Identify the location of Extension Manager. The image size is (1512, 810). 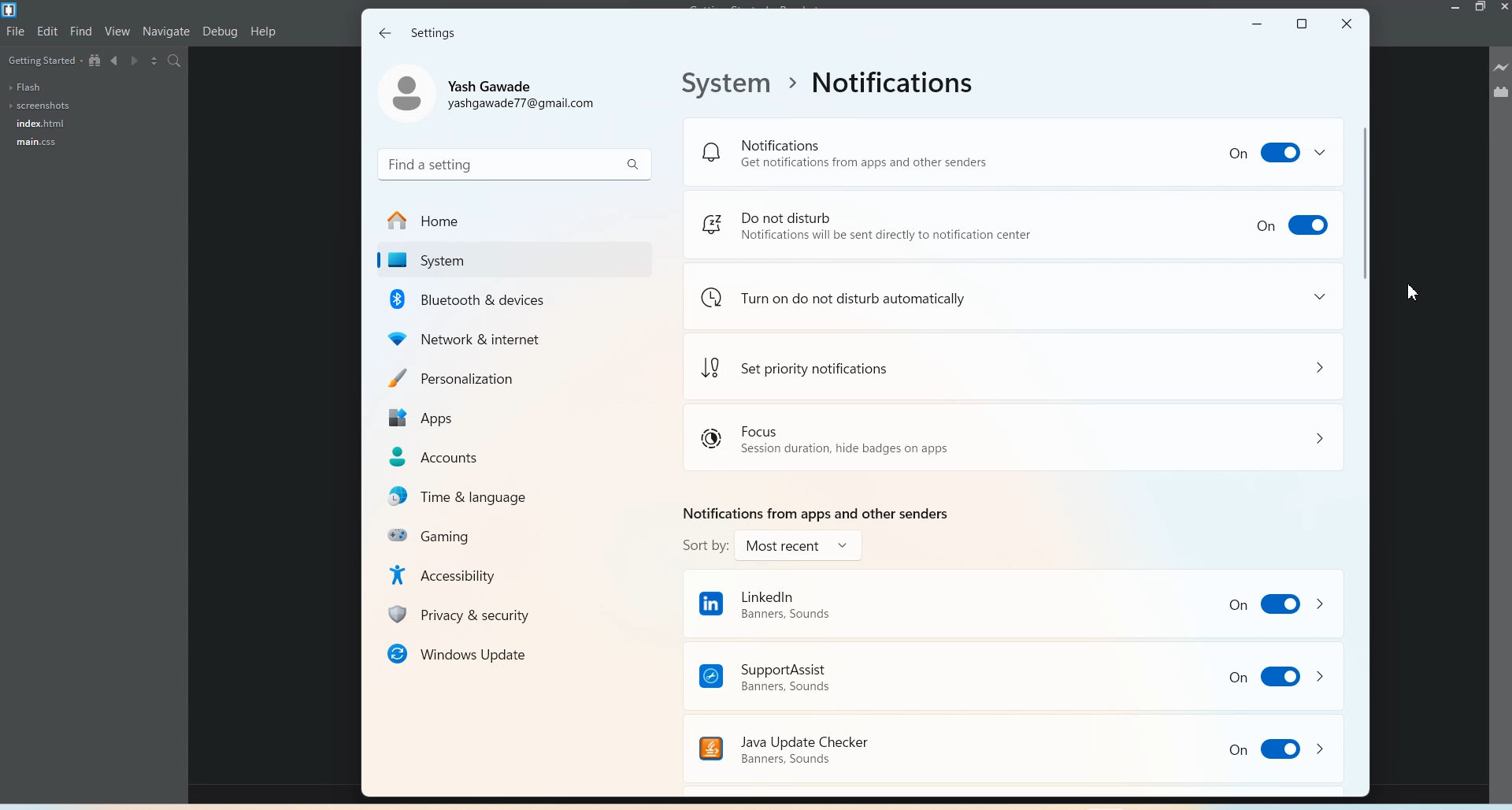
(1501, 92).